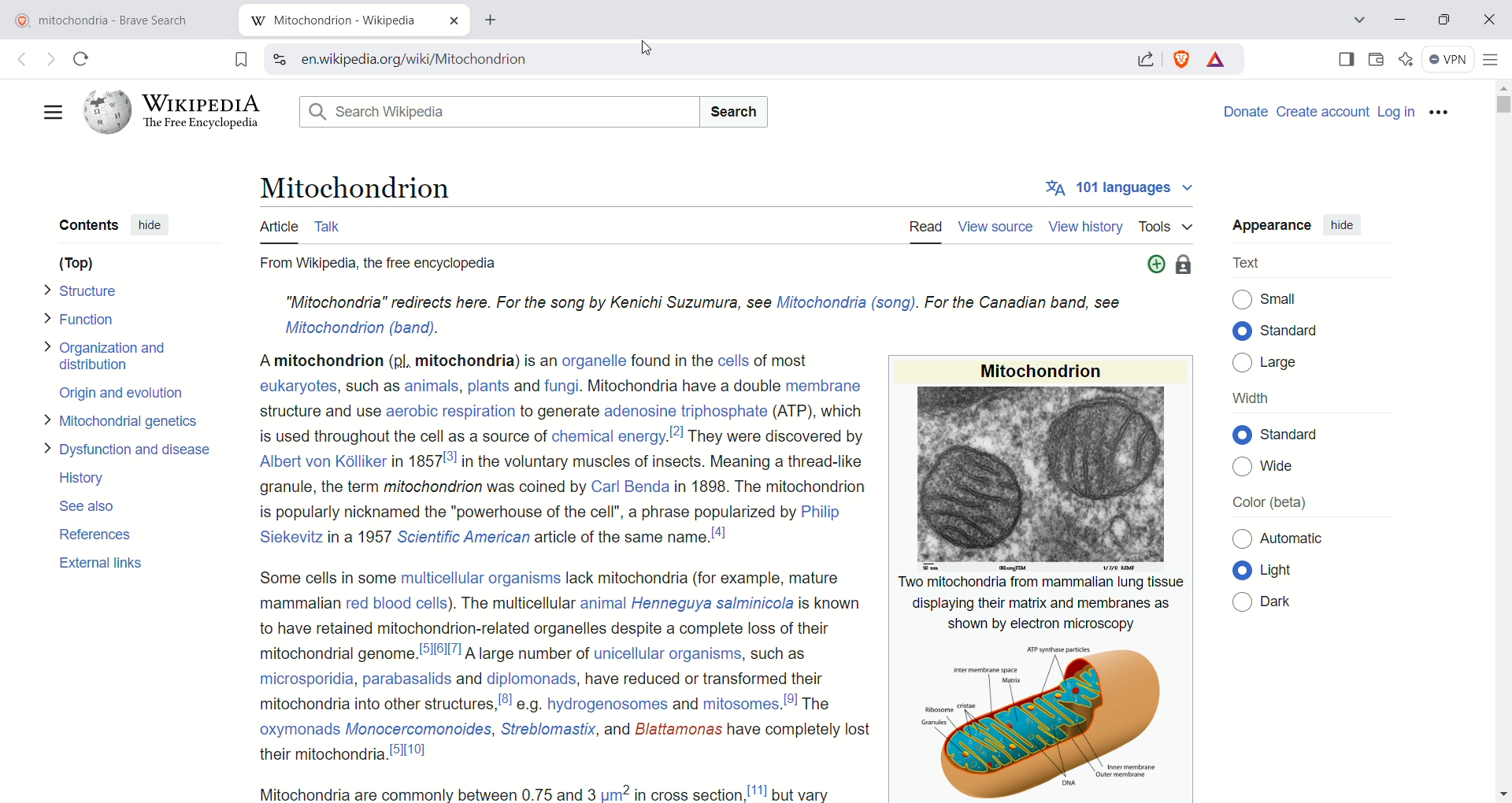  What do you see at coordinates (83, 58) in the screenshot?
I see `reload` at bounding box center [83, 58].